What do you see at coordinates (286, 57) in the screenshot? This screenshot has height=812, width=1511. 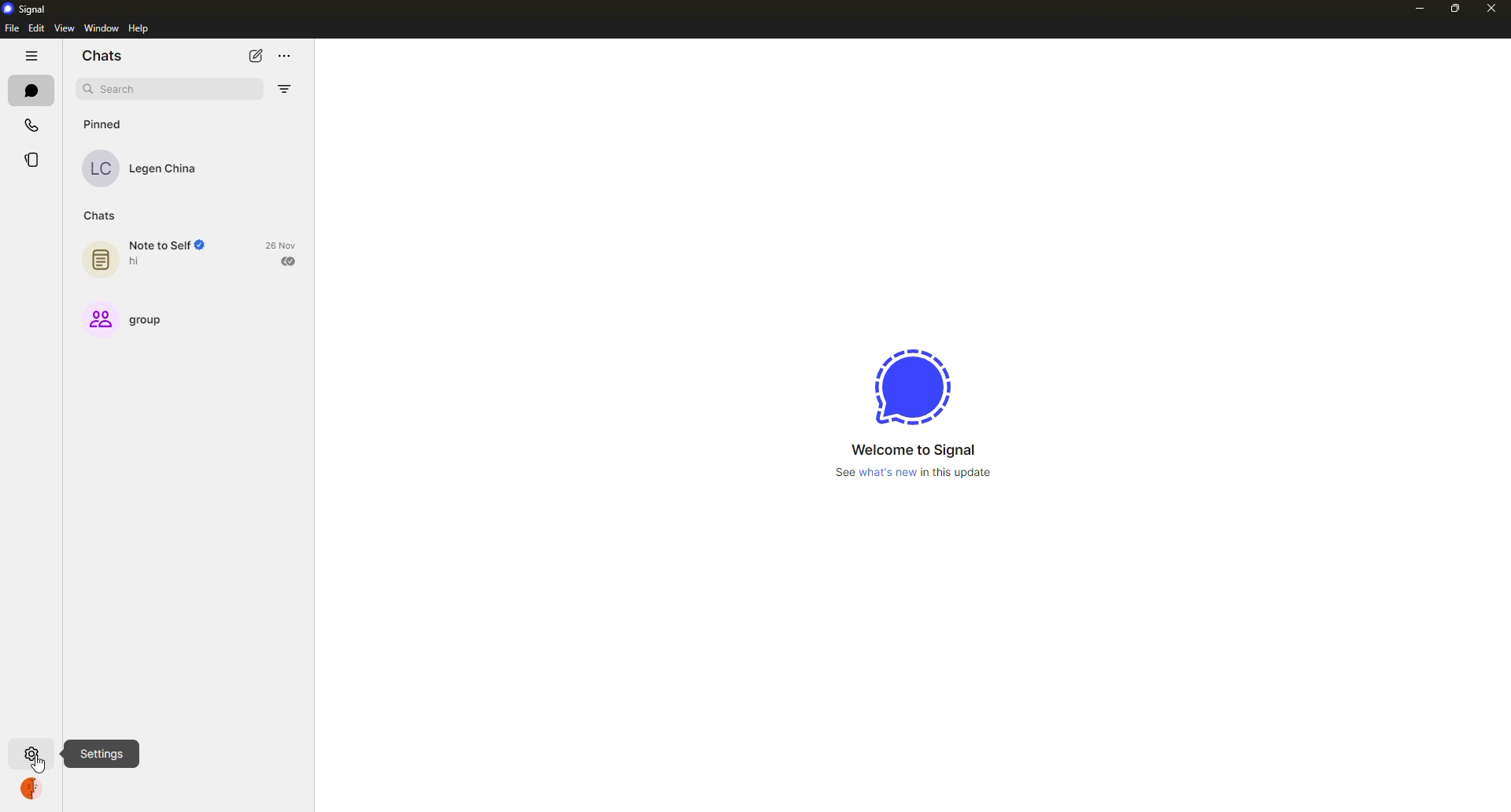 I see `more` at bounding box center [286, 57].